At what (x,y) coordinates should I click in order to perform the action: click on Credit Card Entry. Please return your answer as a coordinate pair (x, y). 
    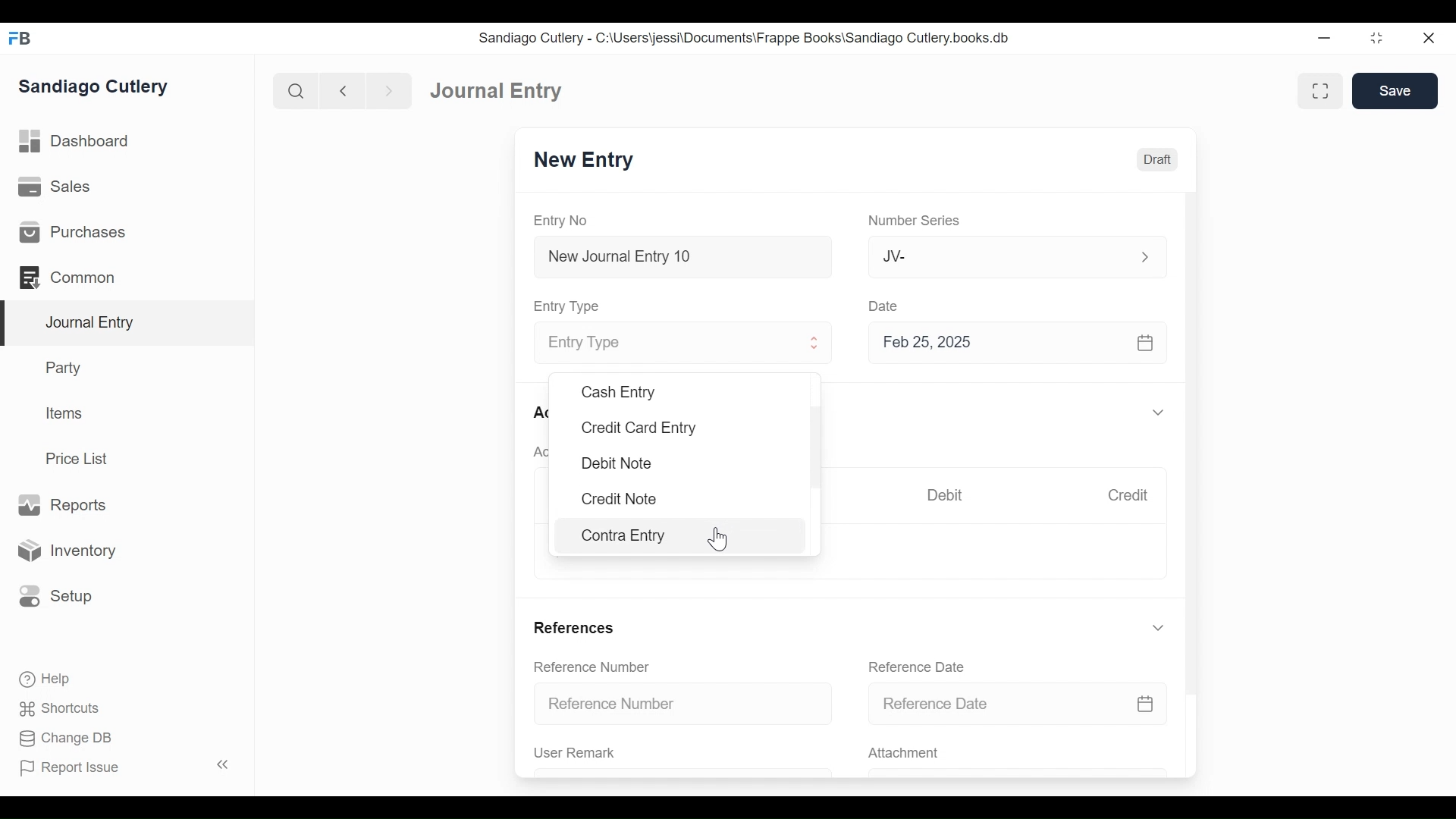
    Looking at the image, I should click on (646, 429).